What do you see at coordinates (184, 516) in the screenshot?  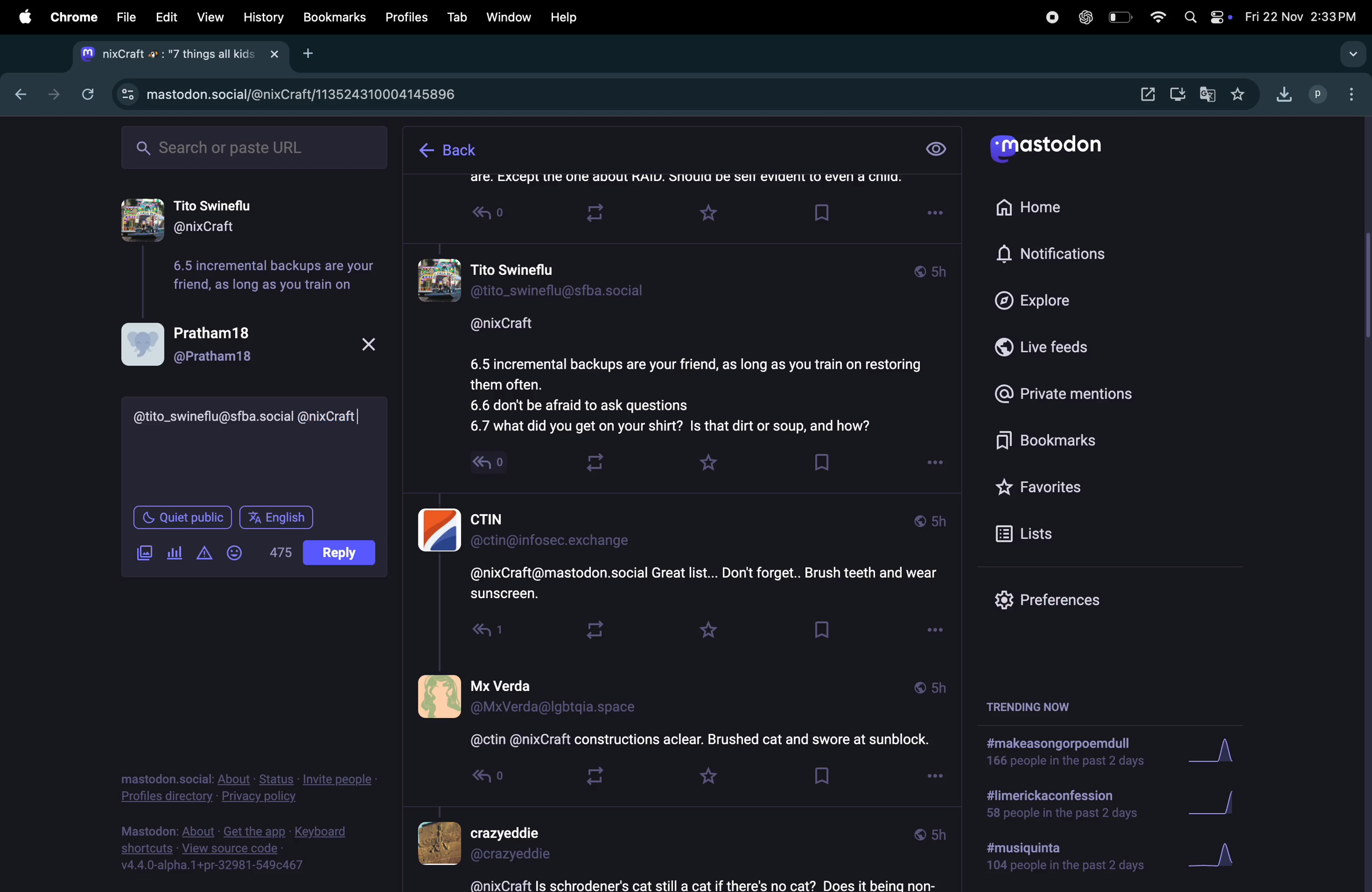 I see `quiet public` at bounding box center [184, 516].